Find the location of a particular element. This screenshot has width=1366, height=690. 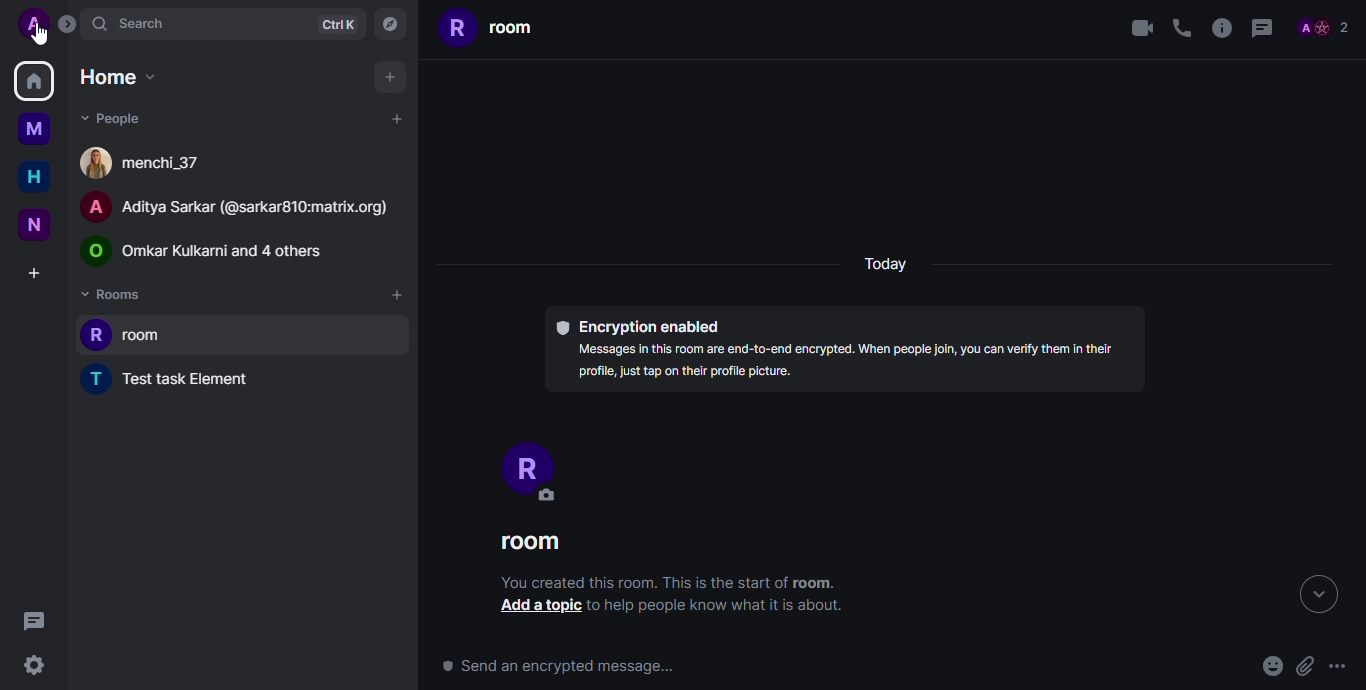

people is located at coordinates (1323, 29).